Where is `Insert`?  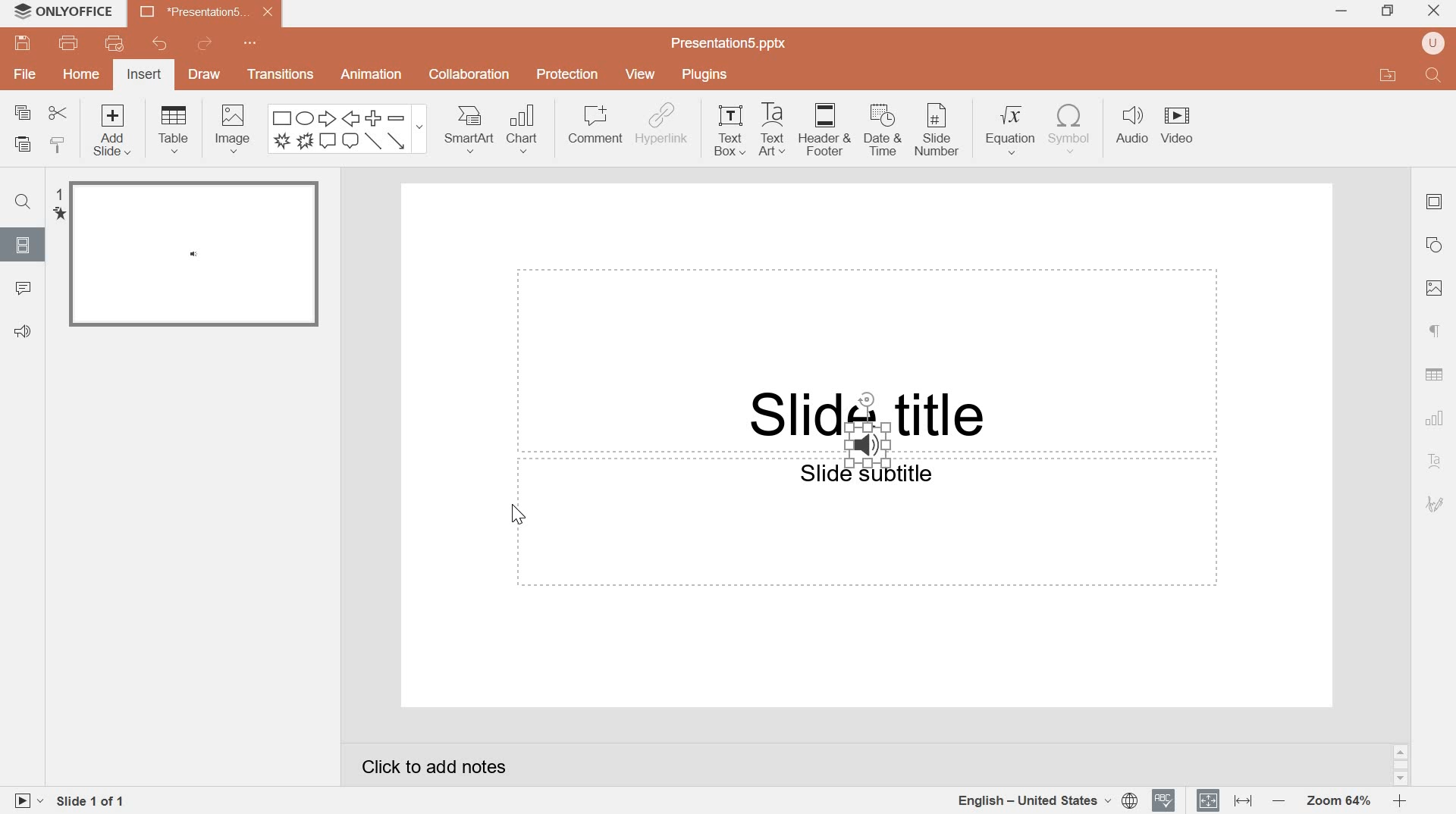
Insert is located at coordinates (144, 74).